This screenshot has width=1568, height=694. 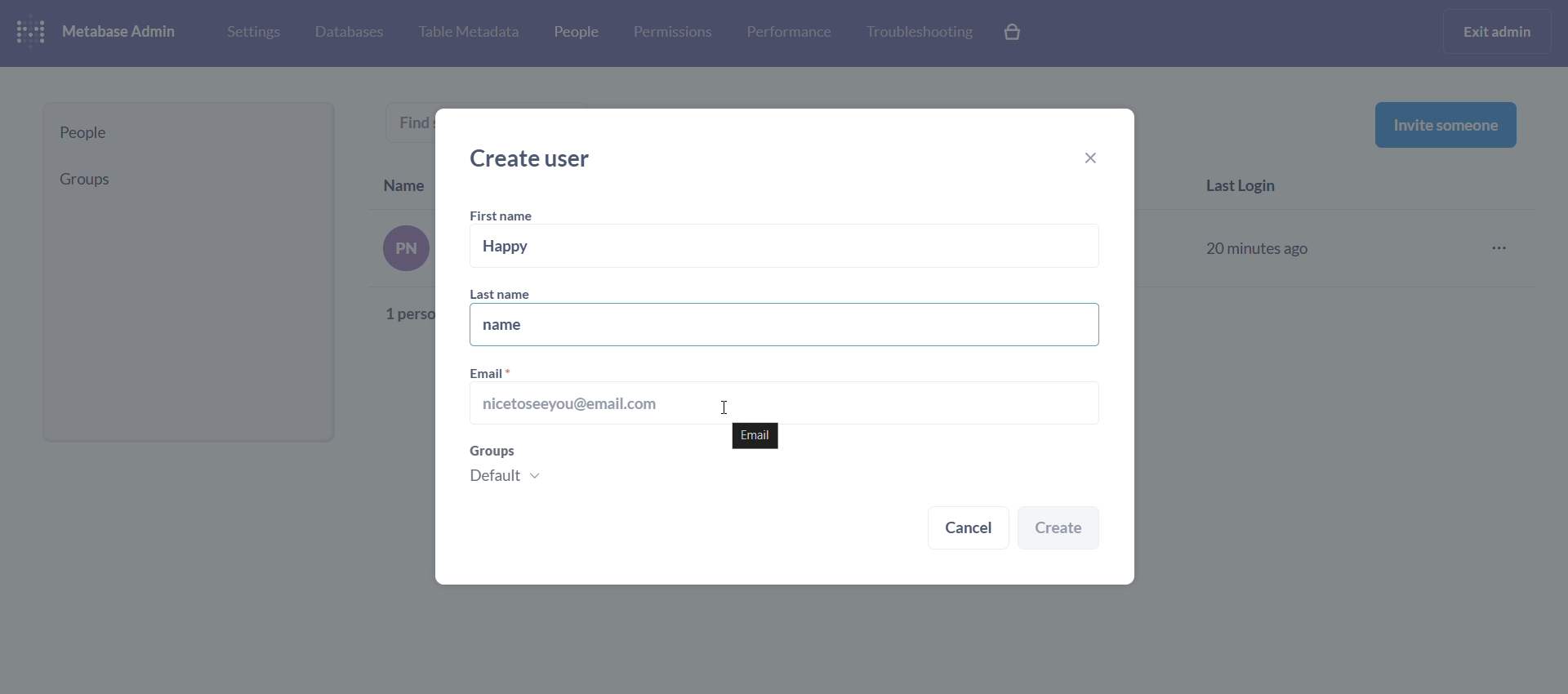 What do you see at coordinates (1098, 160) in the screenshot?
I see `close` at bounding box center [1098, 160].